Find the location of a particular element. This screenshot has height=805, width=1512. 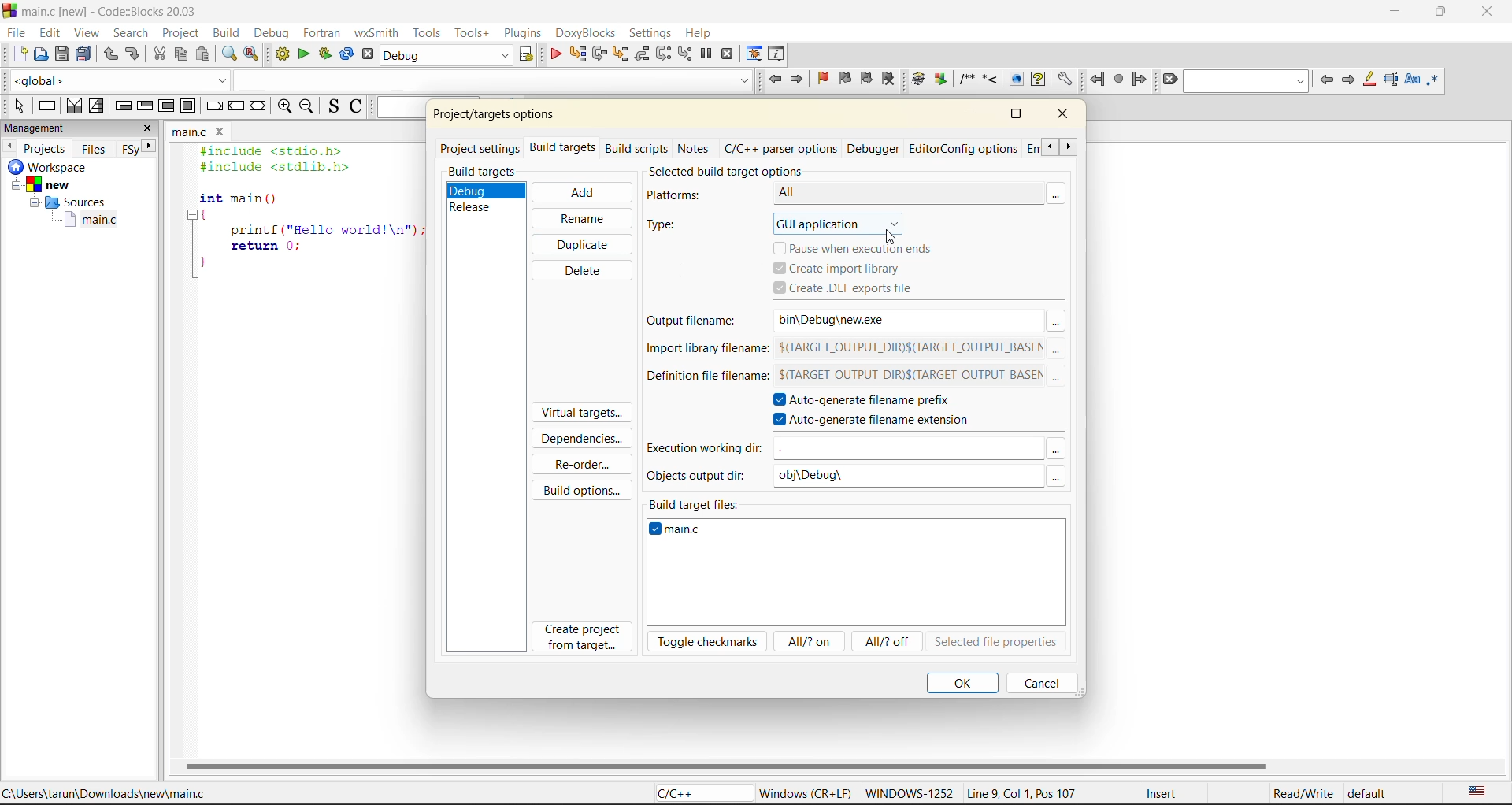

file is located at coordinates (17, 35).